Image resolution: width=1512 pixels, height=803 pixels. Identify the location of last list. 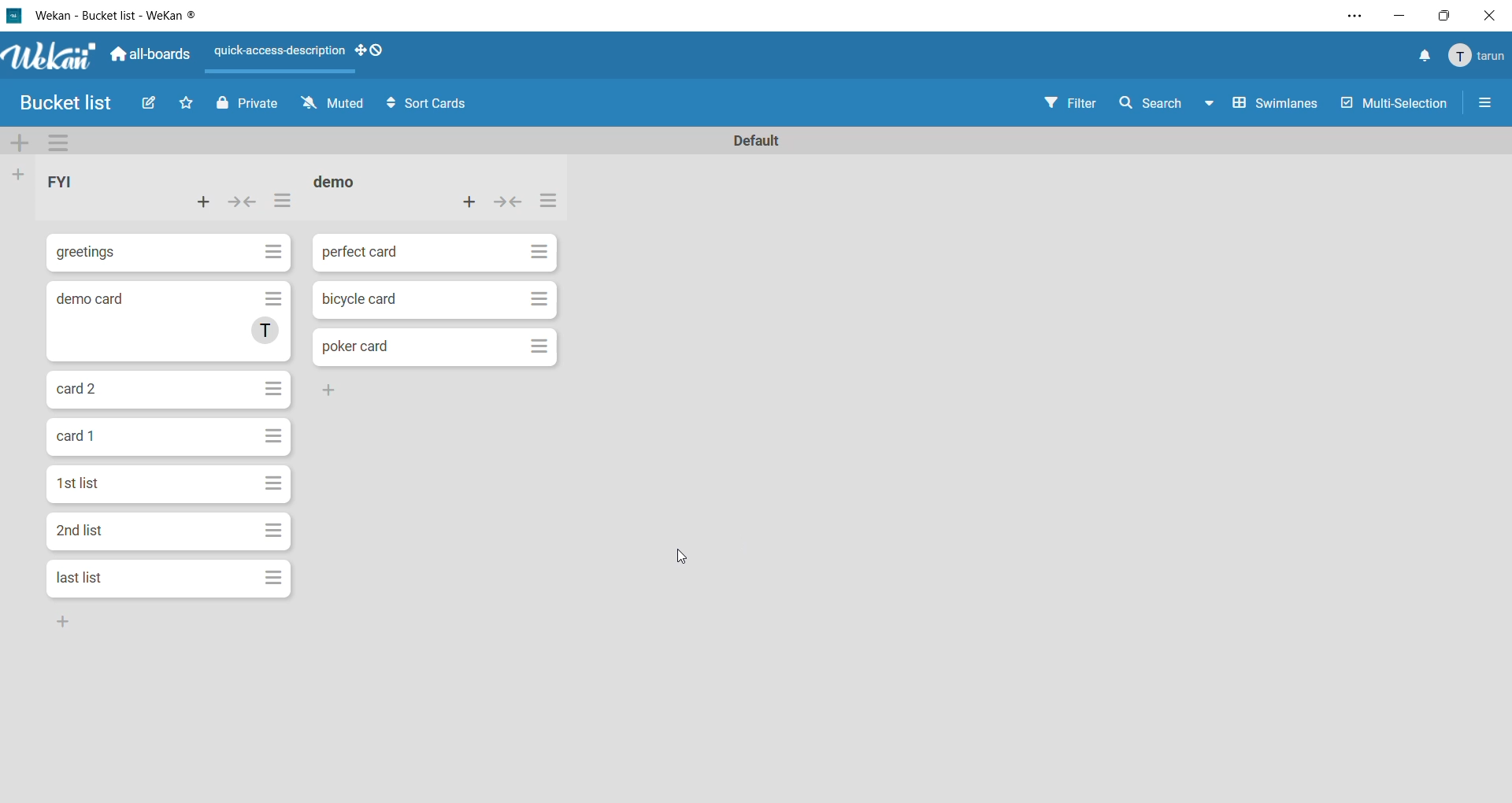
(169, 579).